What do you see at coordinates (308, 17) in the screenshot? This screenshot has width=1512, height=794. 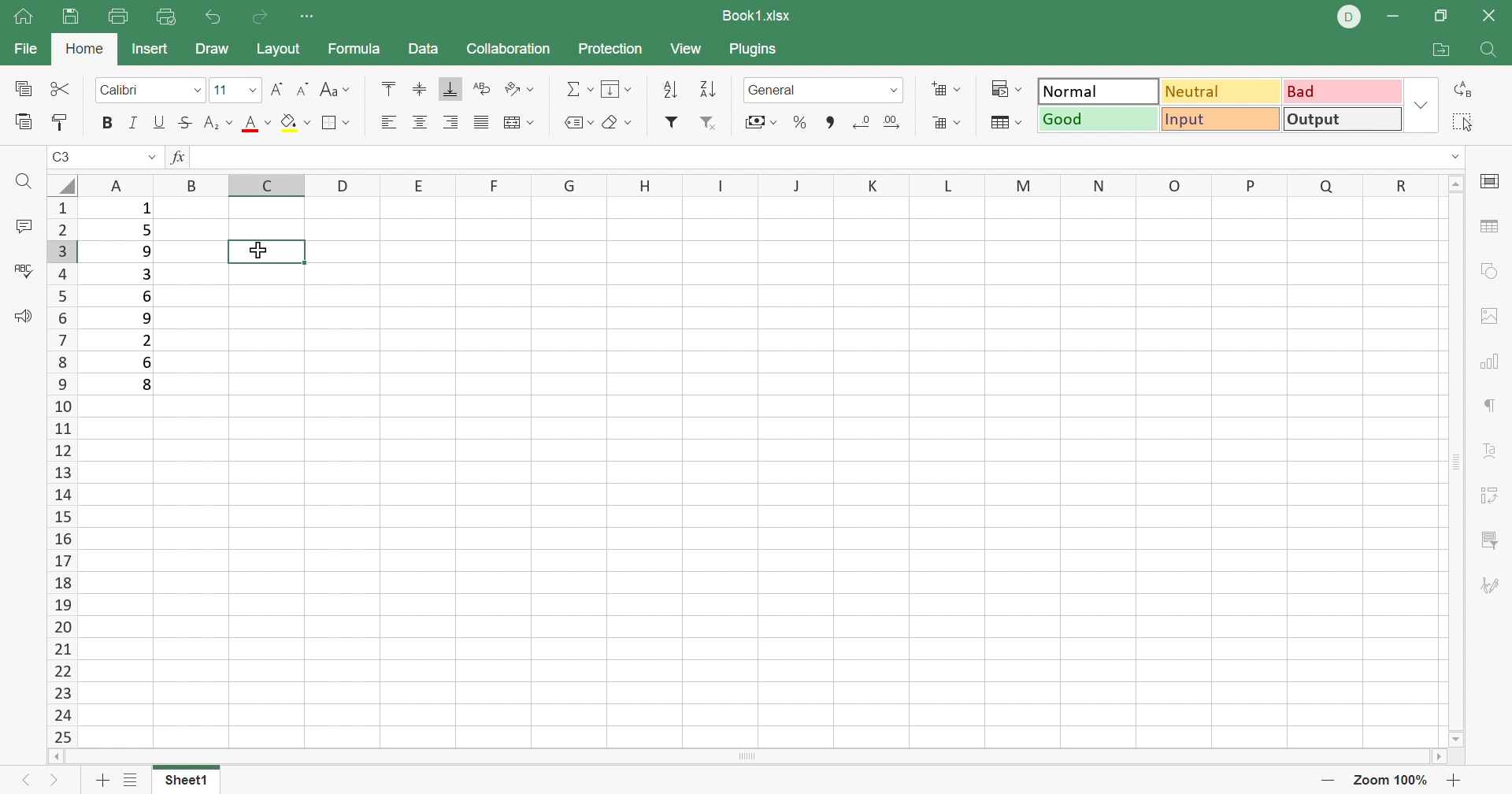 I see `Customize quick access toolbar` at bounding box center [308, 17].